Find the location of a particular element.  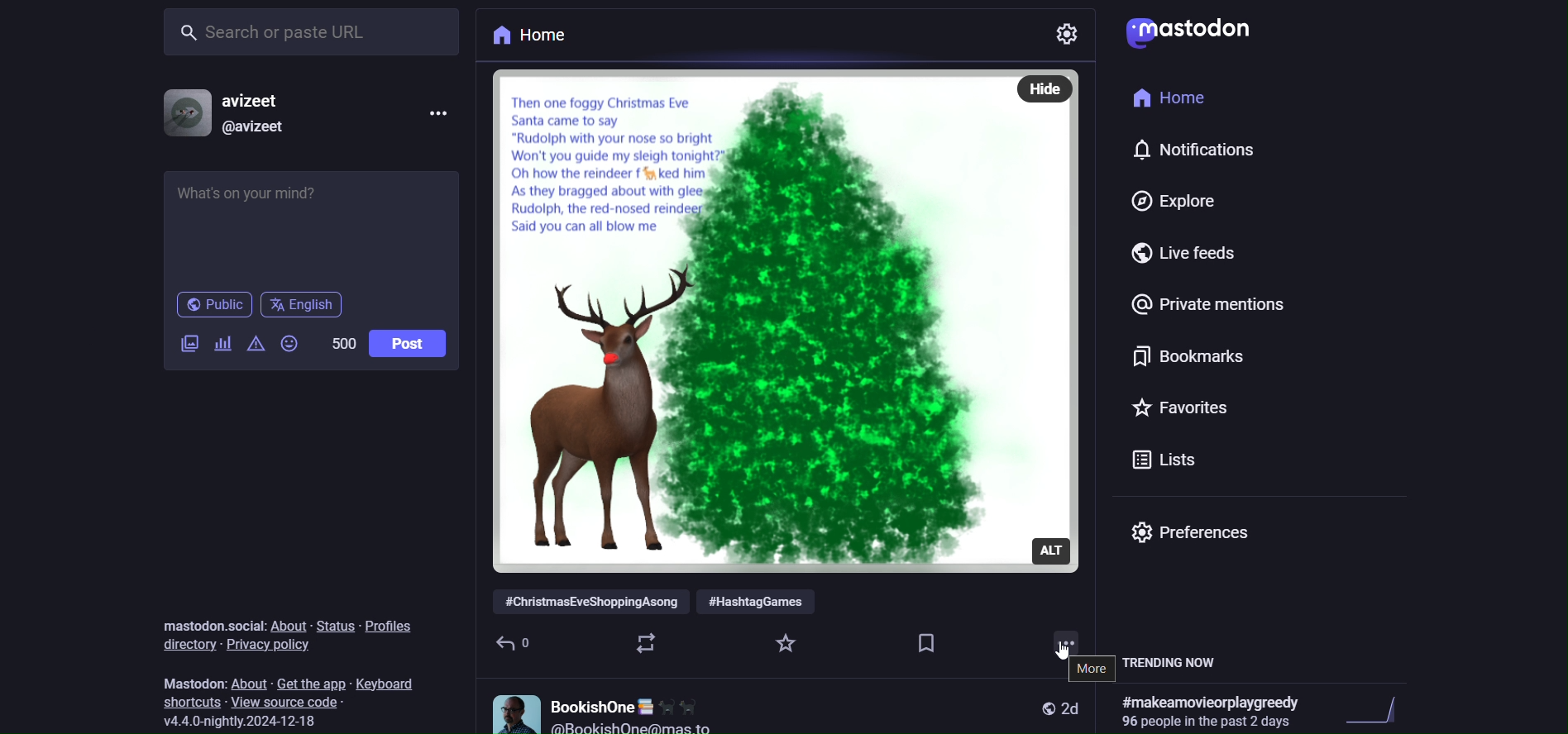

private mention is located at coordinates (1215, 306).